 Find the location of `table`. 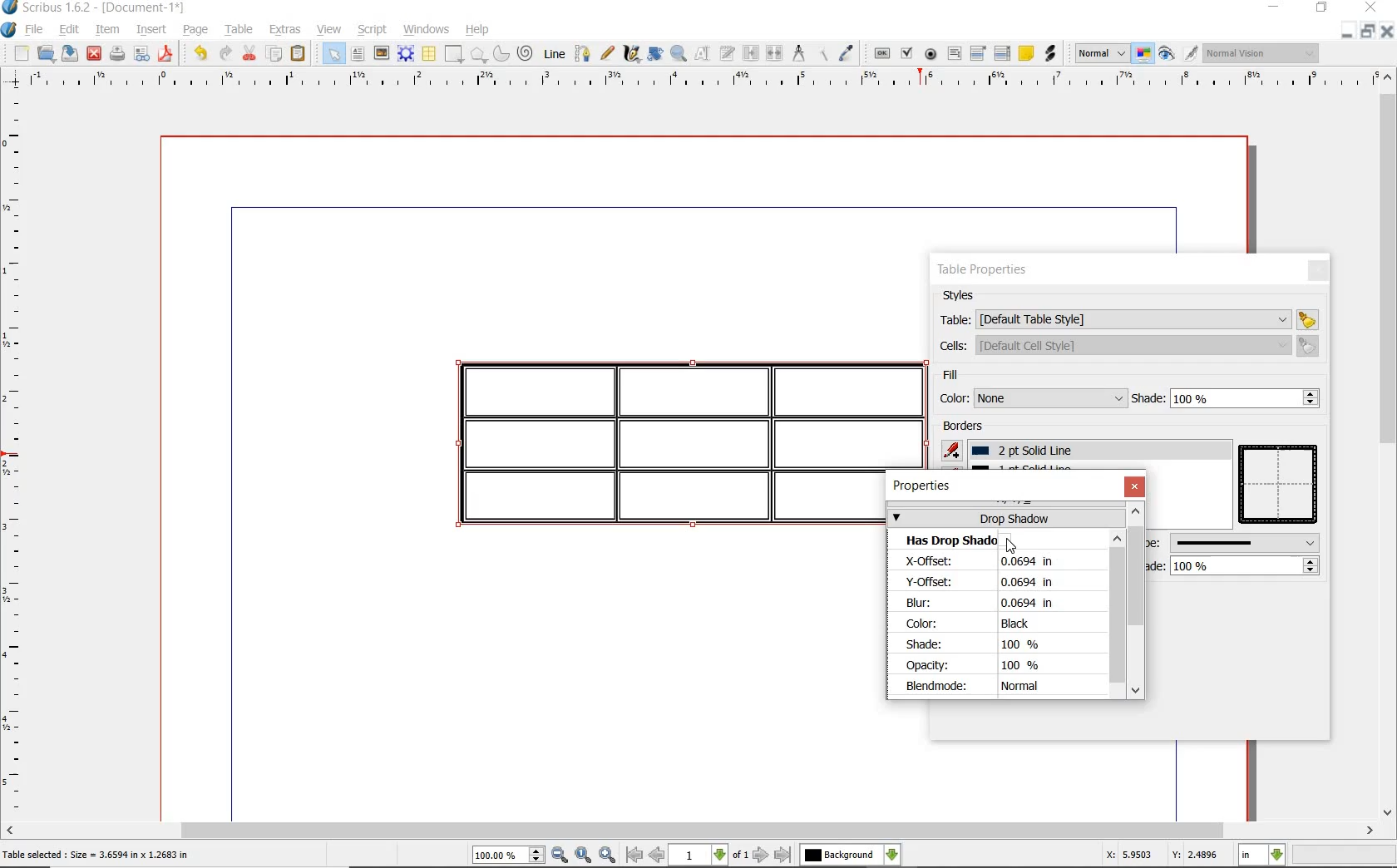

table is located at coordinates (1128, 318).